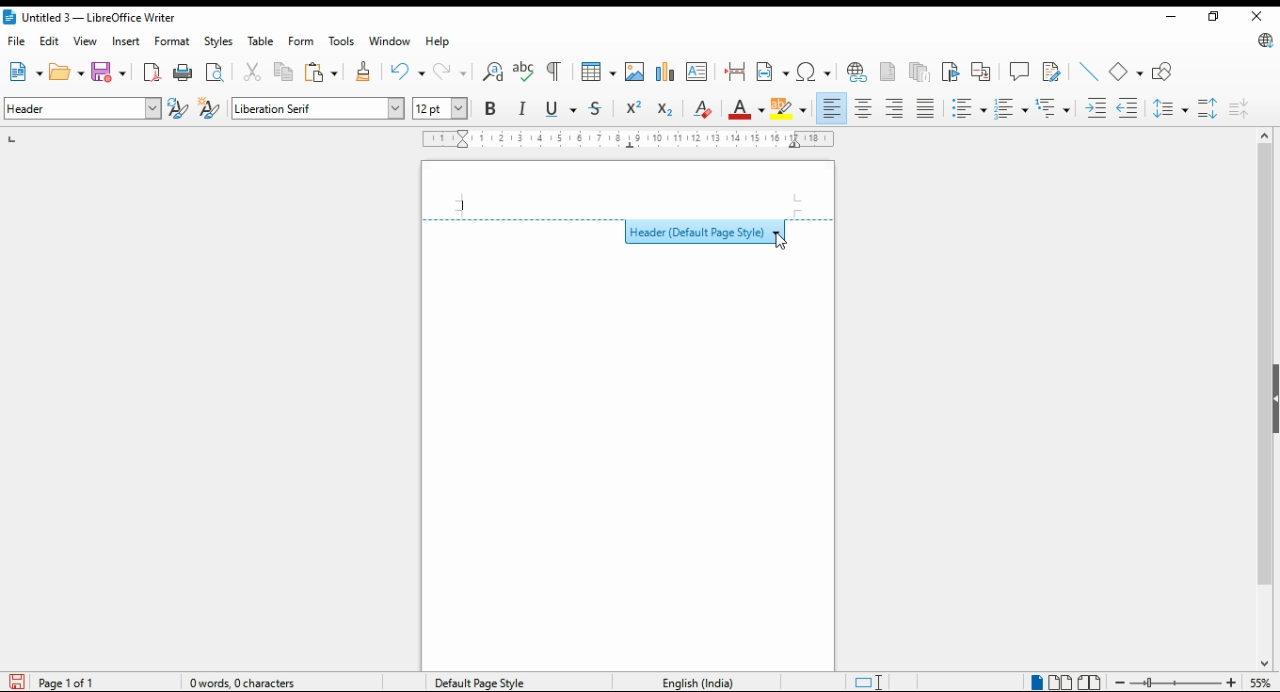 This screenshot has width=1280, height=692. I want to click on scroll bar, so click(1264, 399).